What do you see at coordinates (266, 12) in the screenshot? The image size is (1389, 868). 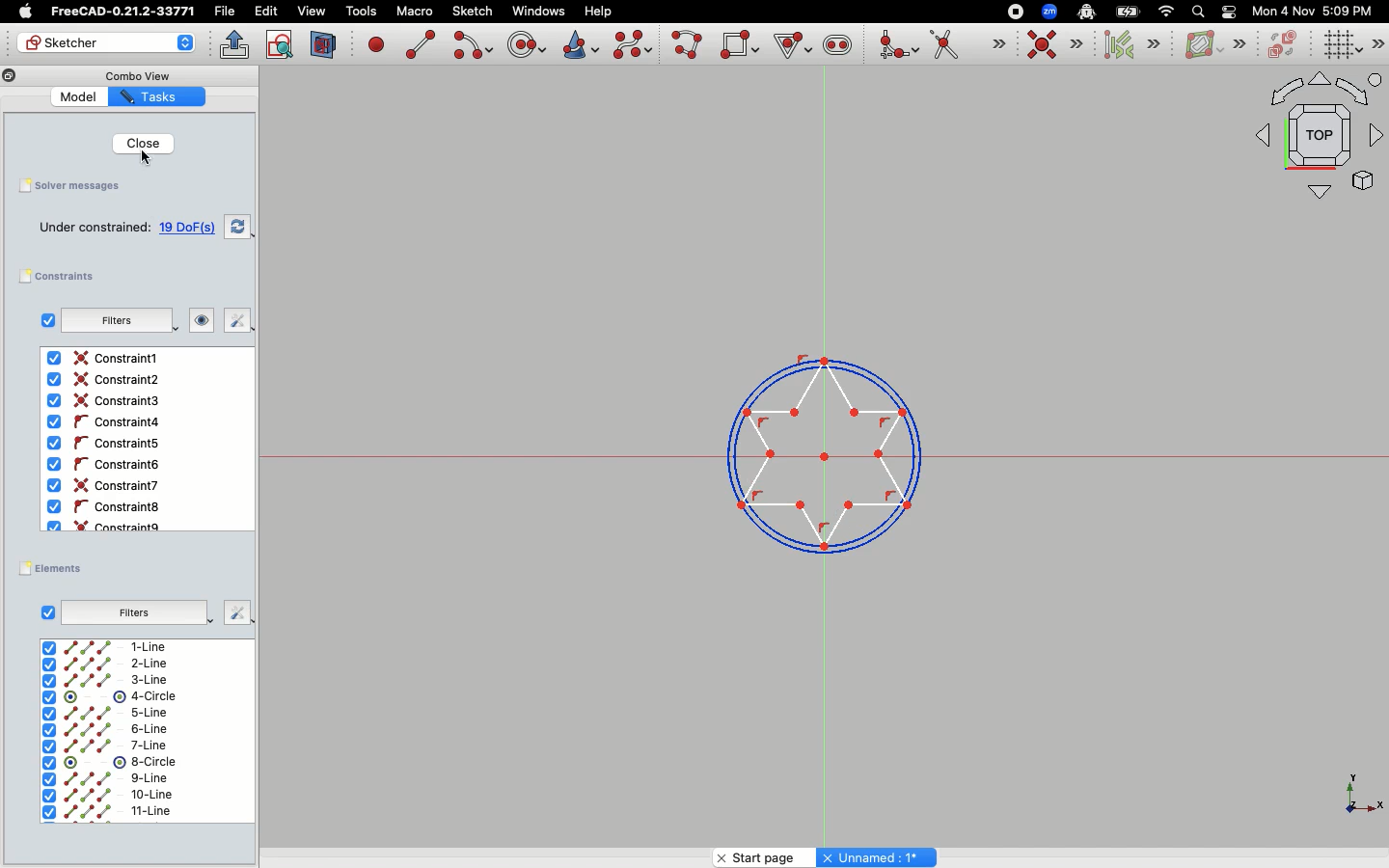 I see `Edit` at bounding box center [266, 12].